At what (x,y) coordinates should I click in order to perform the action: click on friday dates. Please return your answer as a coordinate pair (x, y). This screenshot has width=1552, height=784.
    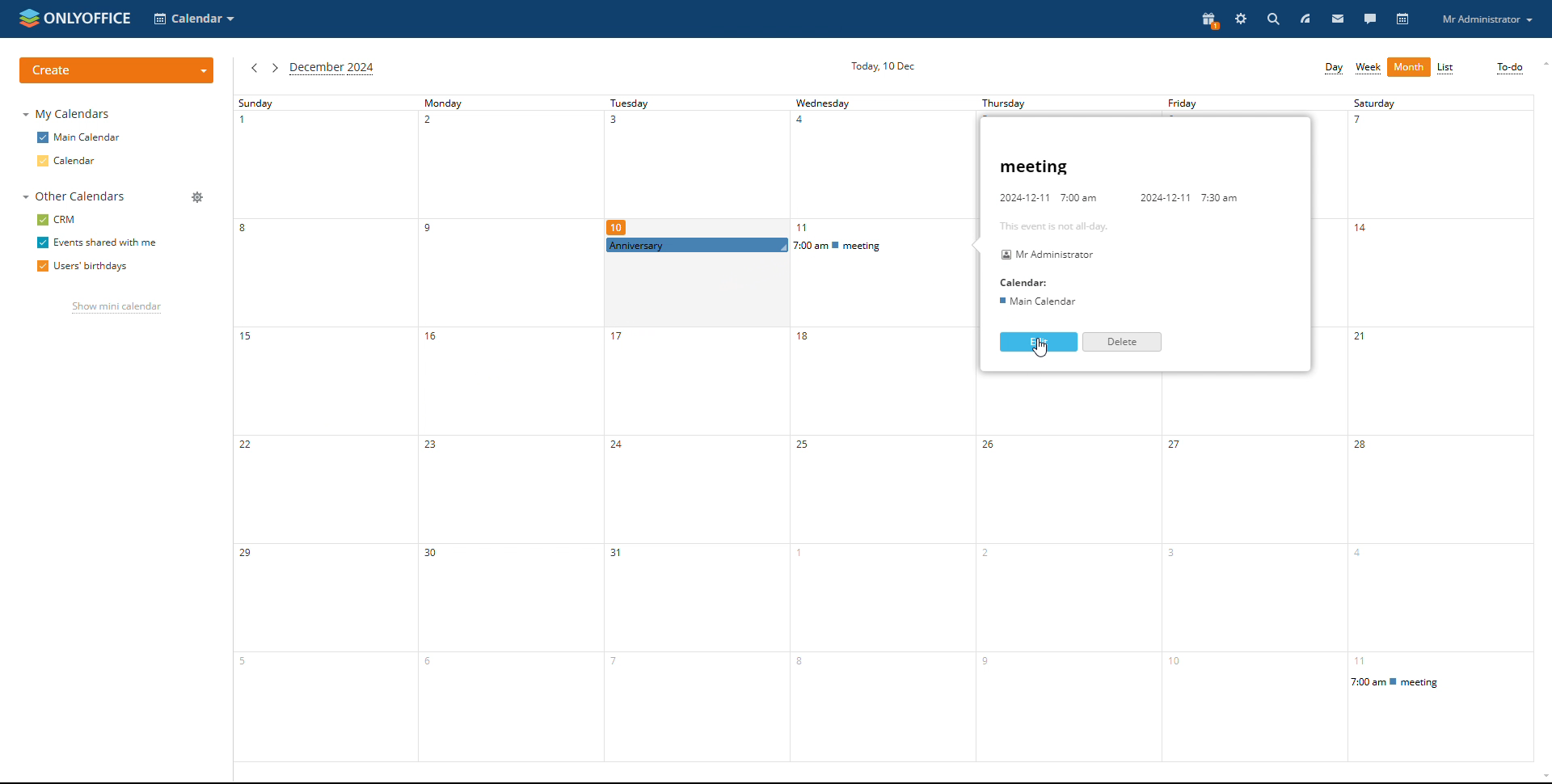
    Looking at the image, I should click on (1250, 594).